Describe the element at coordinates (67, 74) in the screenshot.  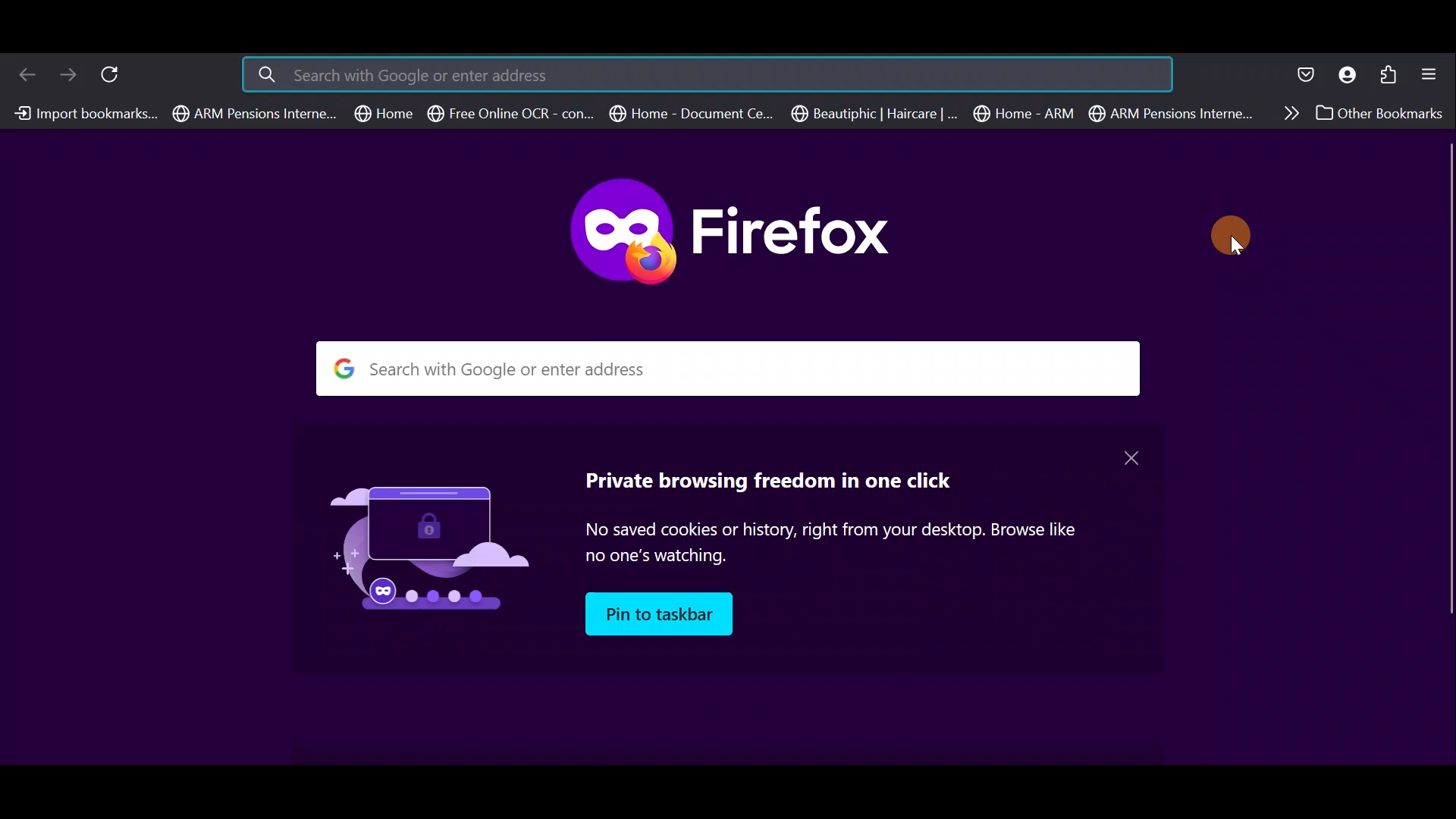
I see `Go forward one page` at that location.